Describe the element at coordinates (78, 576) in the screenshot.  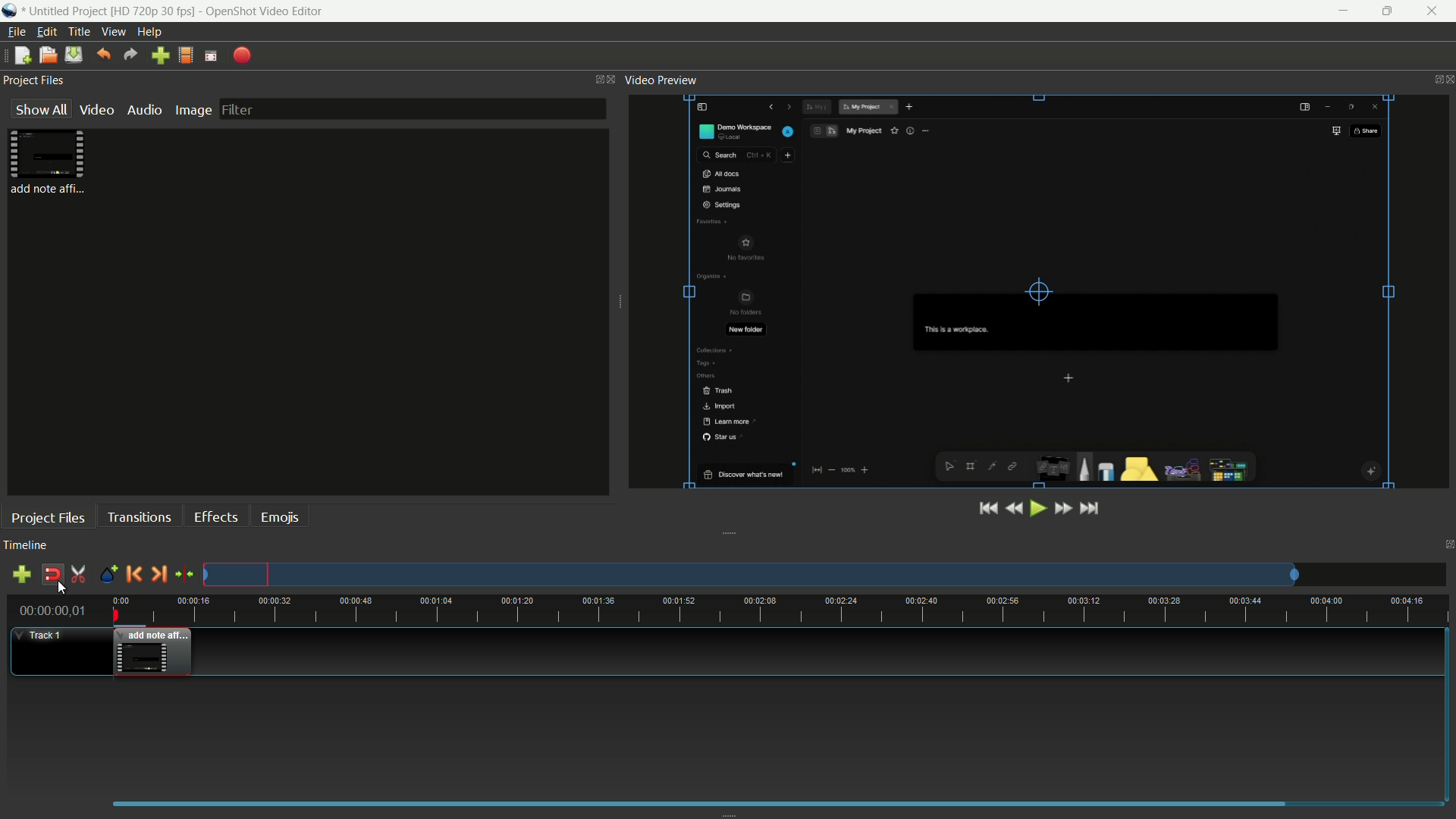
I see `enable razor` at that location.